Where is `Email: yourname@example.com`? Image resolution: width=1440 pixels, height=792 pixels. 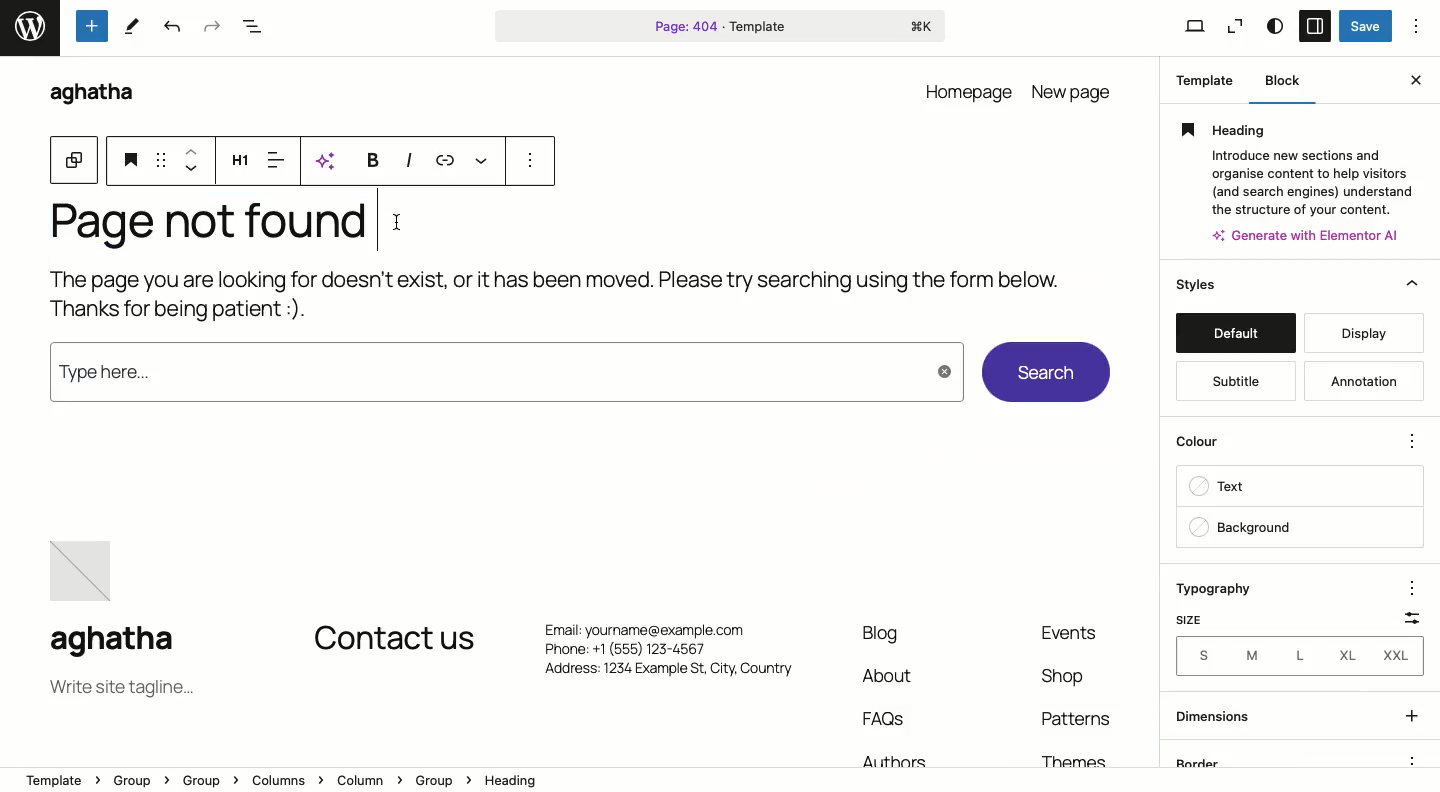
Email: yourname@example.com is located at coordinates (658, 626).